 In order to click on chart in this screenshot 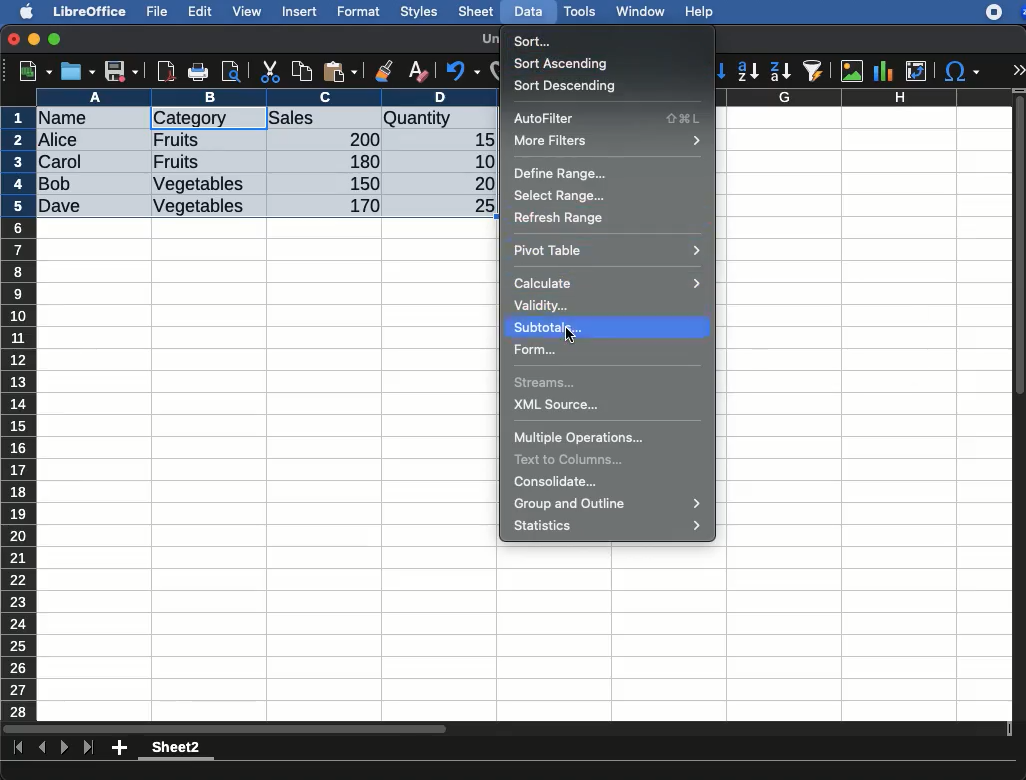, I will do `click(884, 71)`.